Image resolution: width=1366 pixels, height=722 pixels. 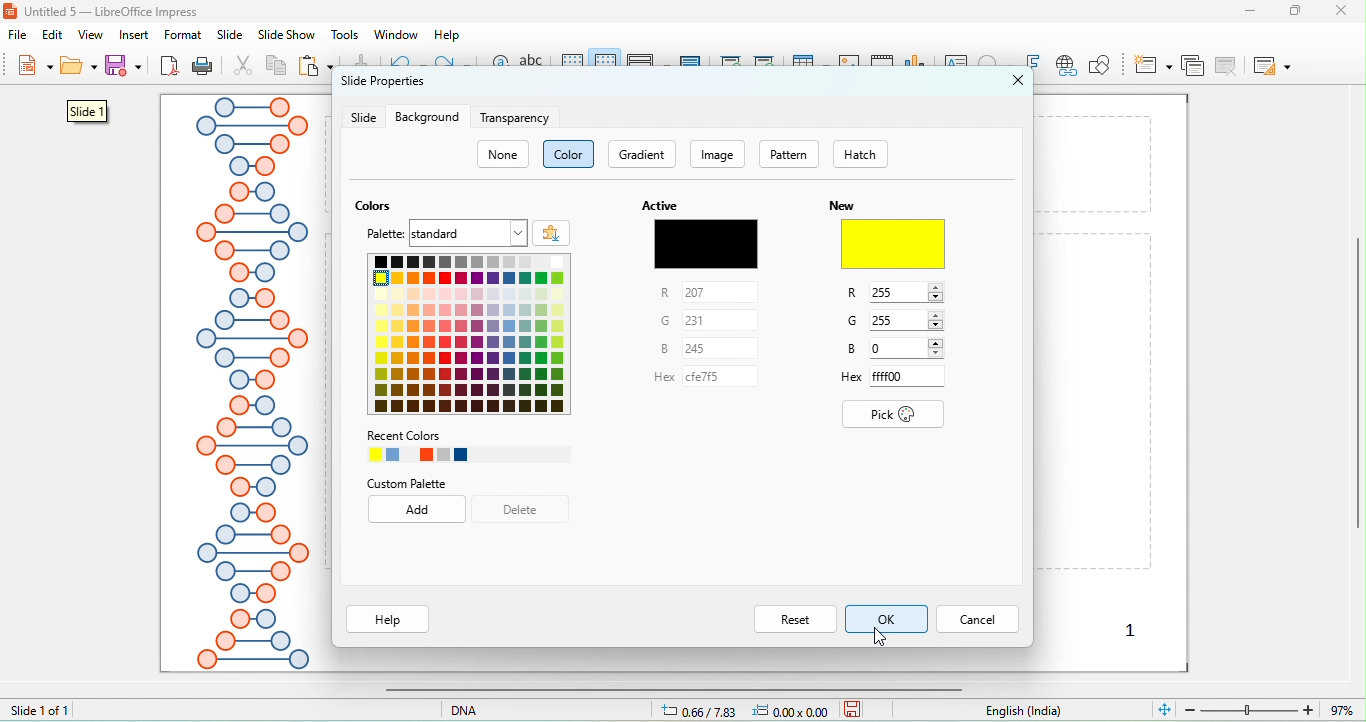 I want to click on maximize, so click(x=1303, y=11).